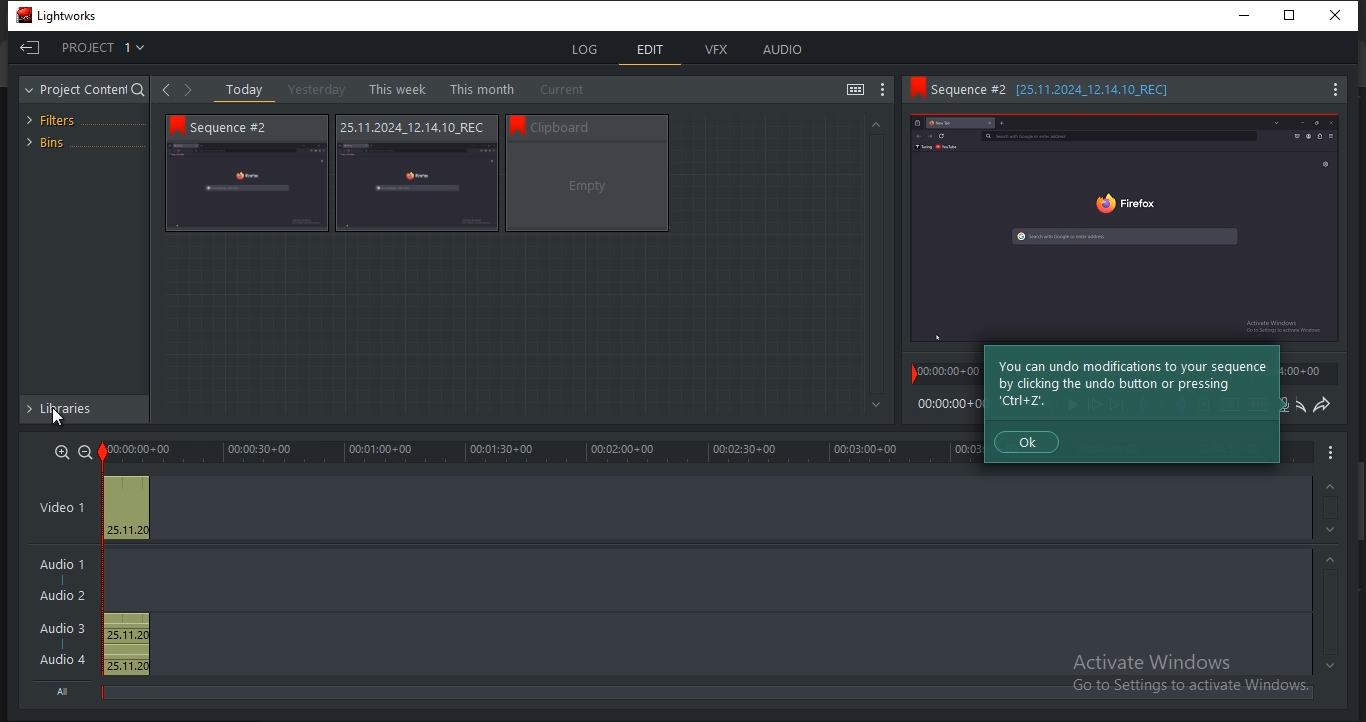 This screenshot has height=722, width=1366. Describe the element at coordinates (80, 141) in the screenshot. I see `bins` at that location.